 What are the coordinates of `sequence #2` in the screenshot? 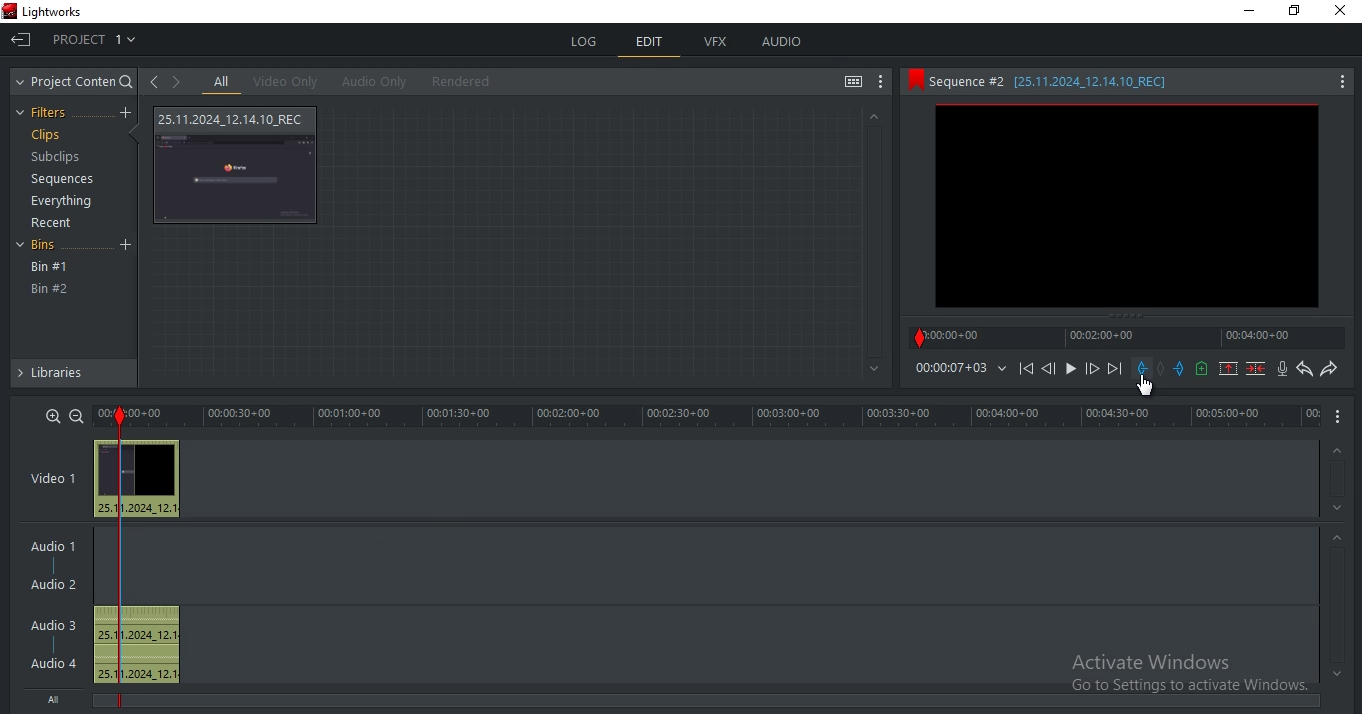 It's located at (1105, 82).